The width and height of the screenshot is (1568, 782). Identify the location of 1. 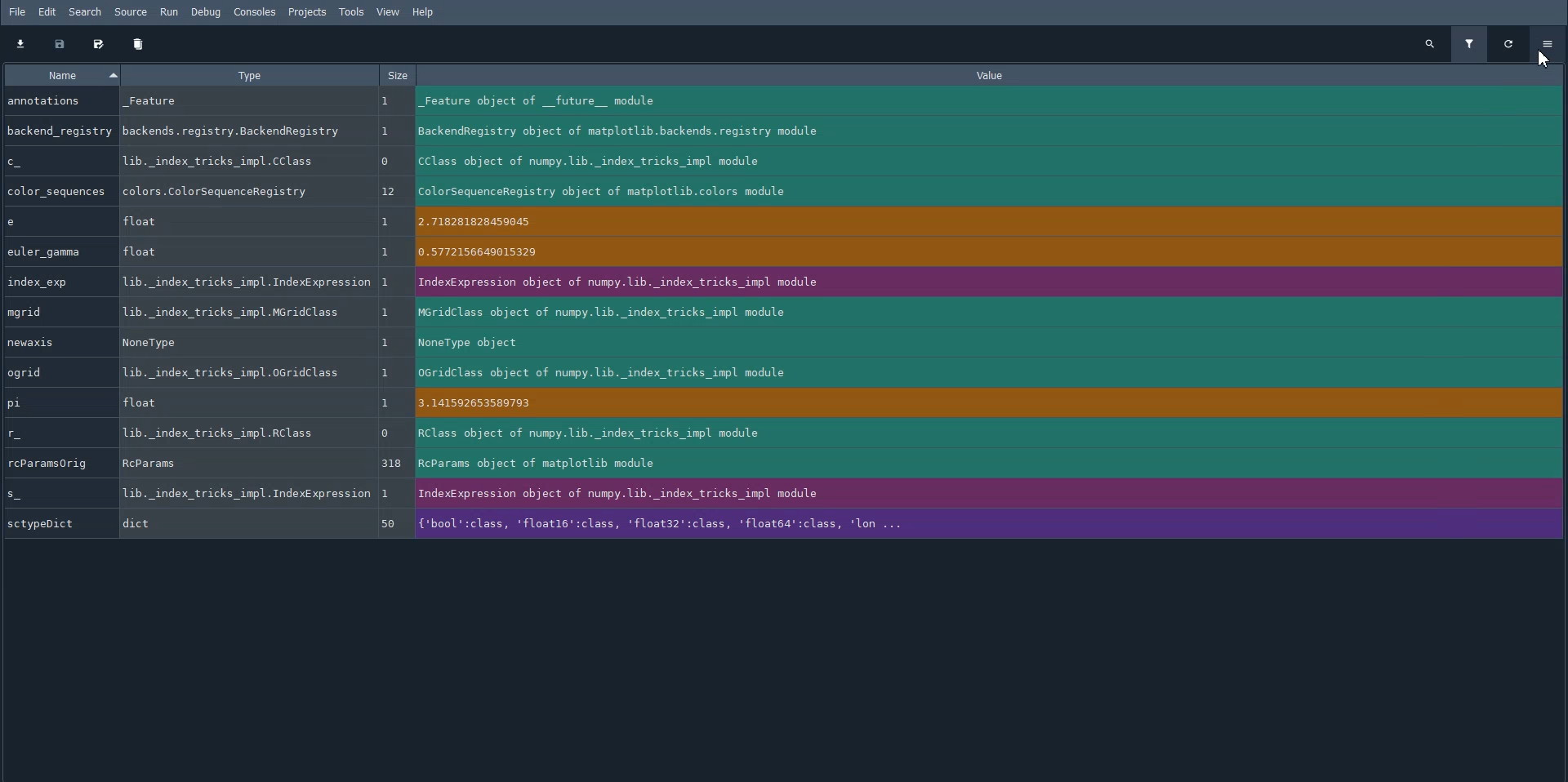
(389, 375).